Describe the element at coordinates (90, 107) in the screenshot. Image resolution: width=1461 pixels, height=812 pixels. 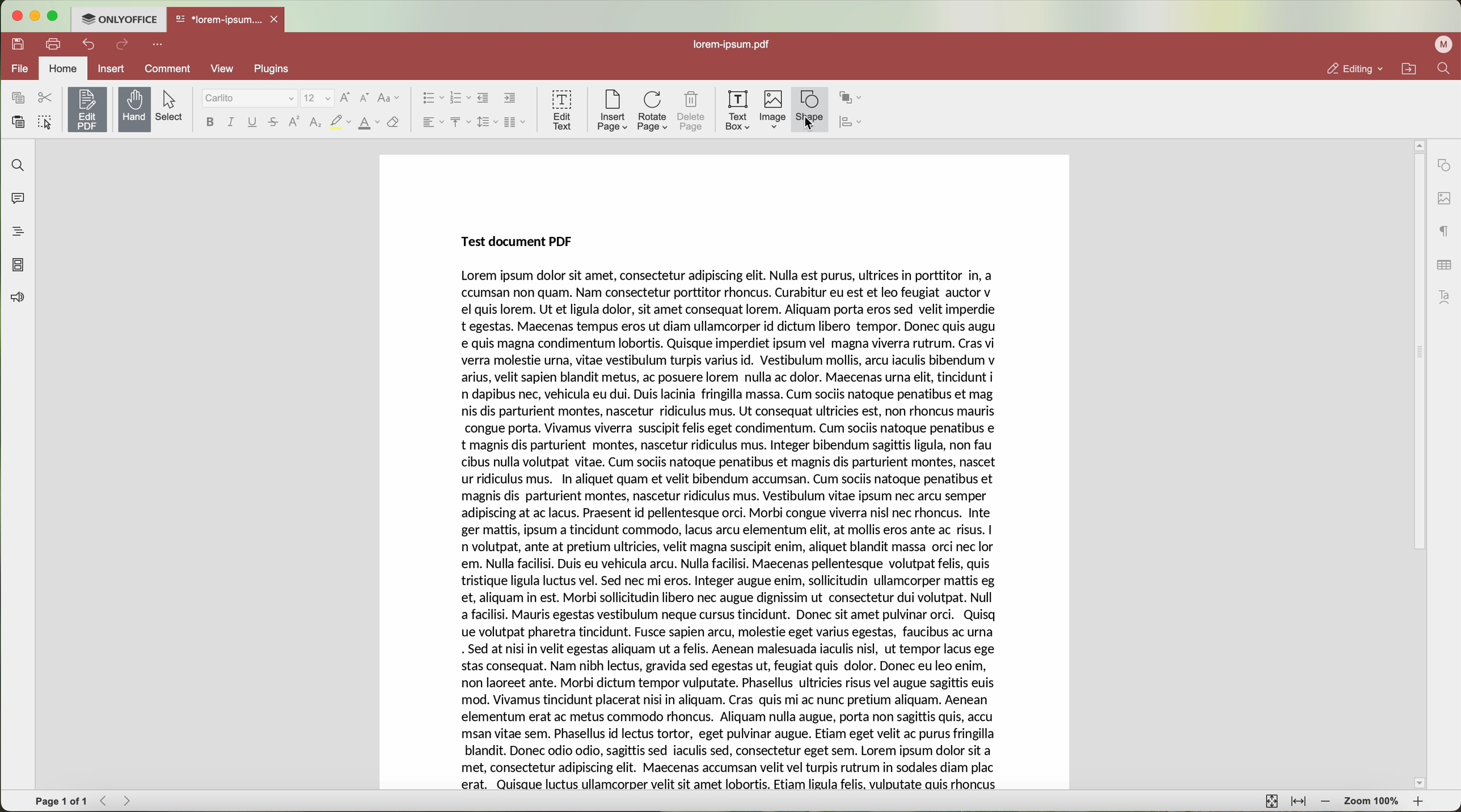
I see `edit PDF` at that location.